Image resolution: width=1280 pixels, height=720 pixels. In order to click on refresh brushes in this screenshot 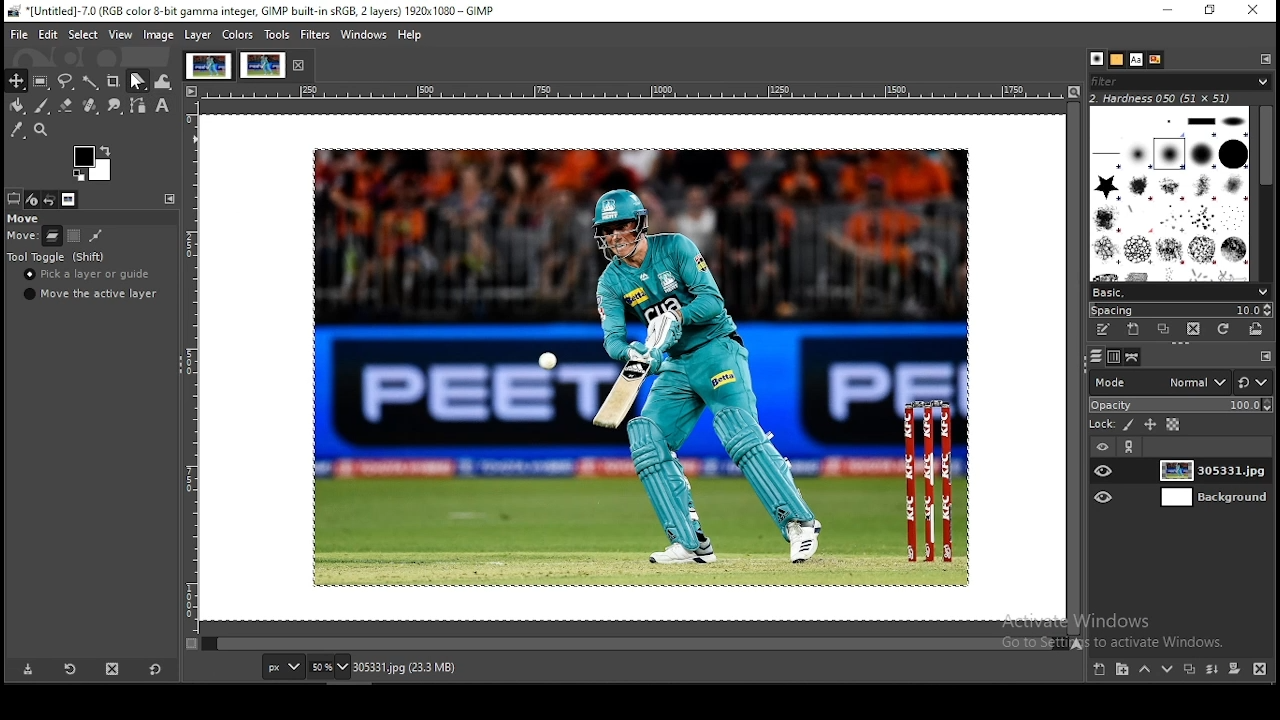, I will do `click(1224, 330)`.